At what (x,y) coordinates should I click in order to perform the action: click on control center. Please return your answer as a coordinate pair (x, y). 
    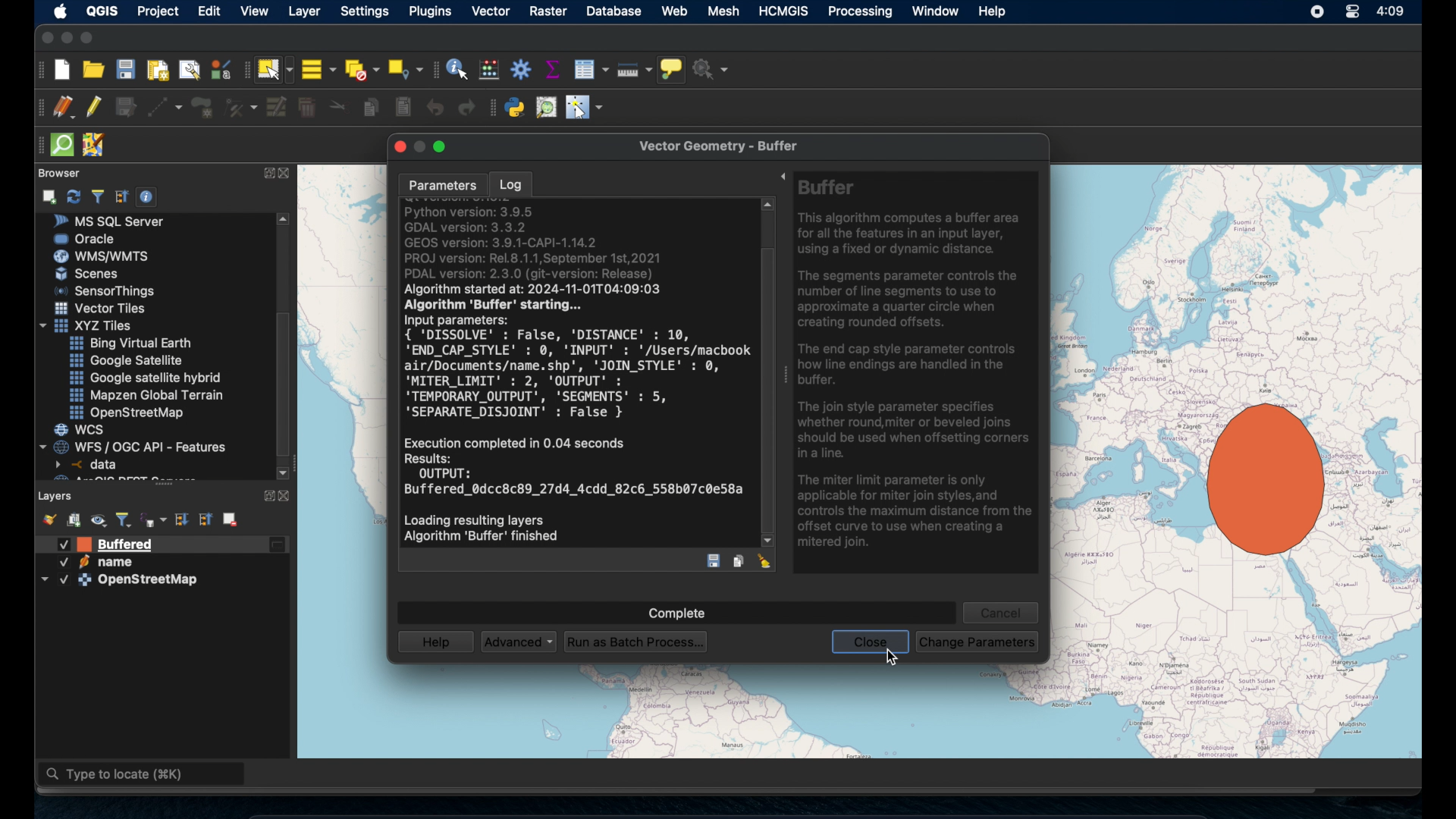
    Looking at the image, I should click on (1349, 11).